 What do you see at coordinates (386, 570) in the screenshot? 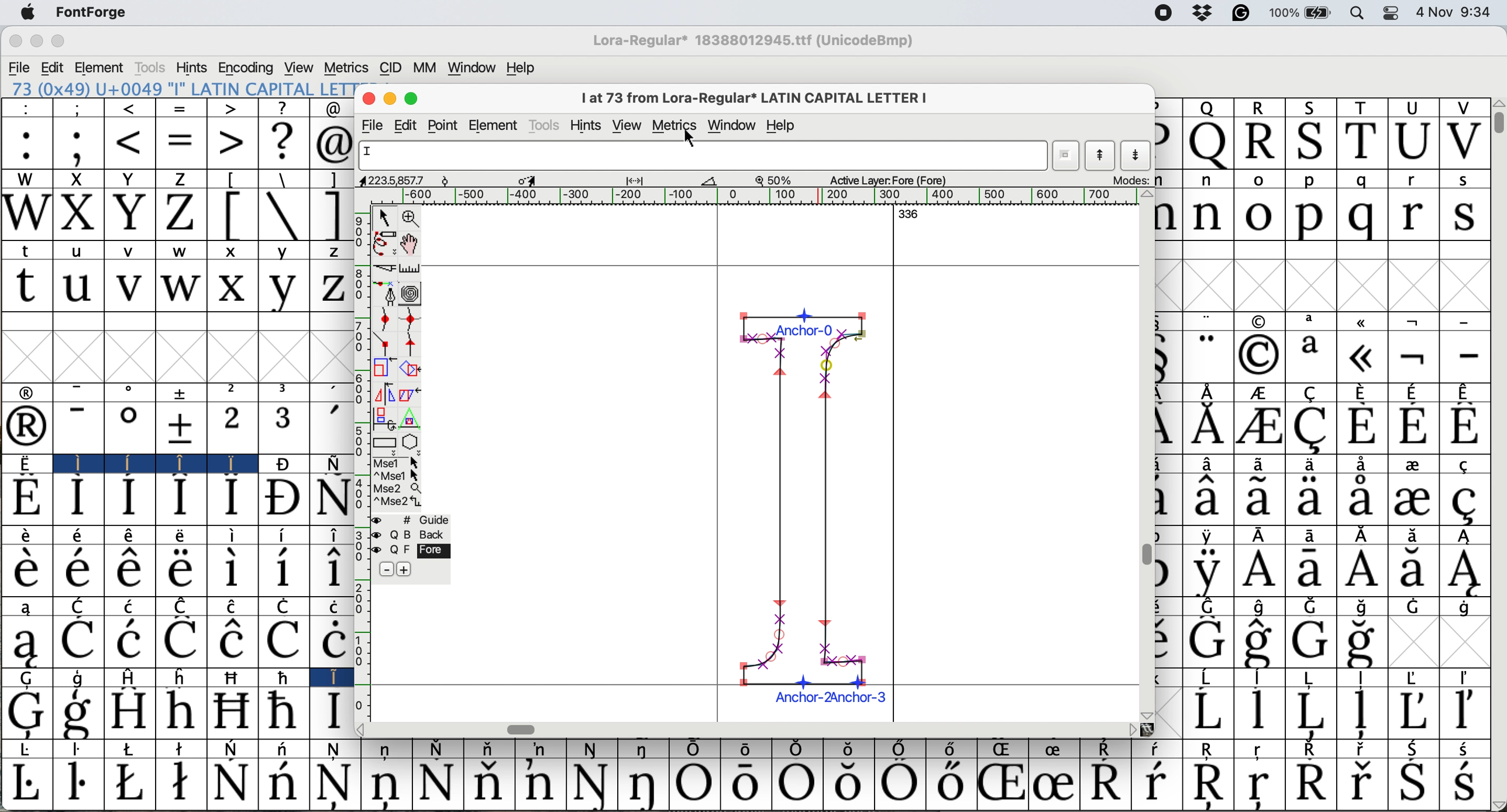
I see `remove` at bounding box center [386, 570].